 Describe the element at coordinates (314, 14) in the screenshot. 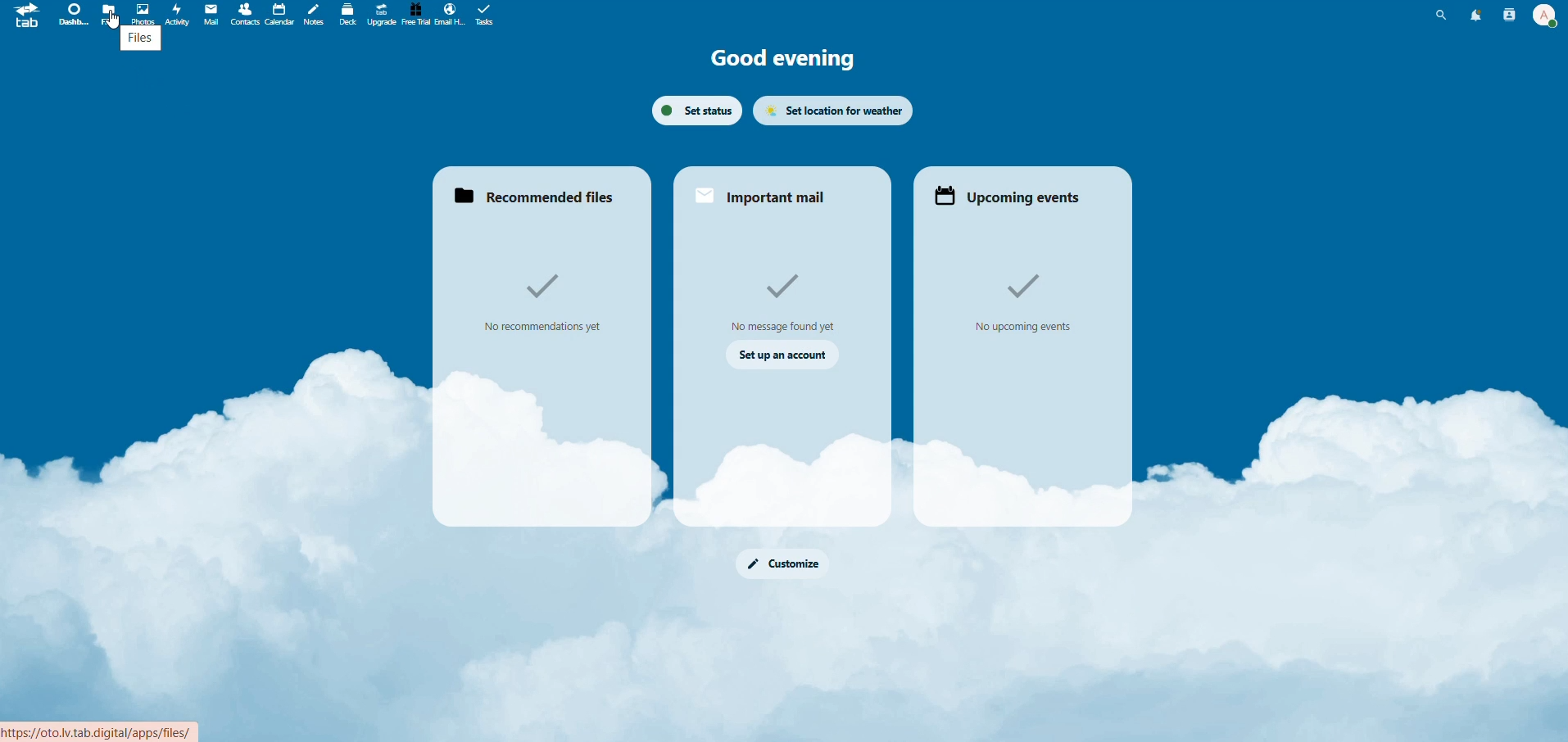

I see `Notes` at that location.